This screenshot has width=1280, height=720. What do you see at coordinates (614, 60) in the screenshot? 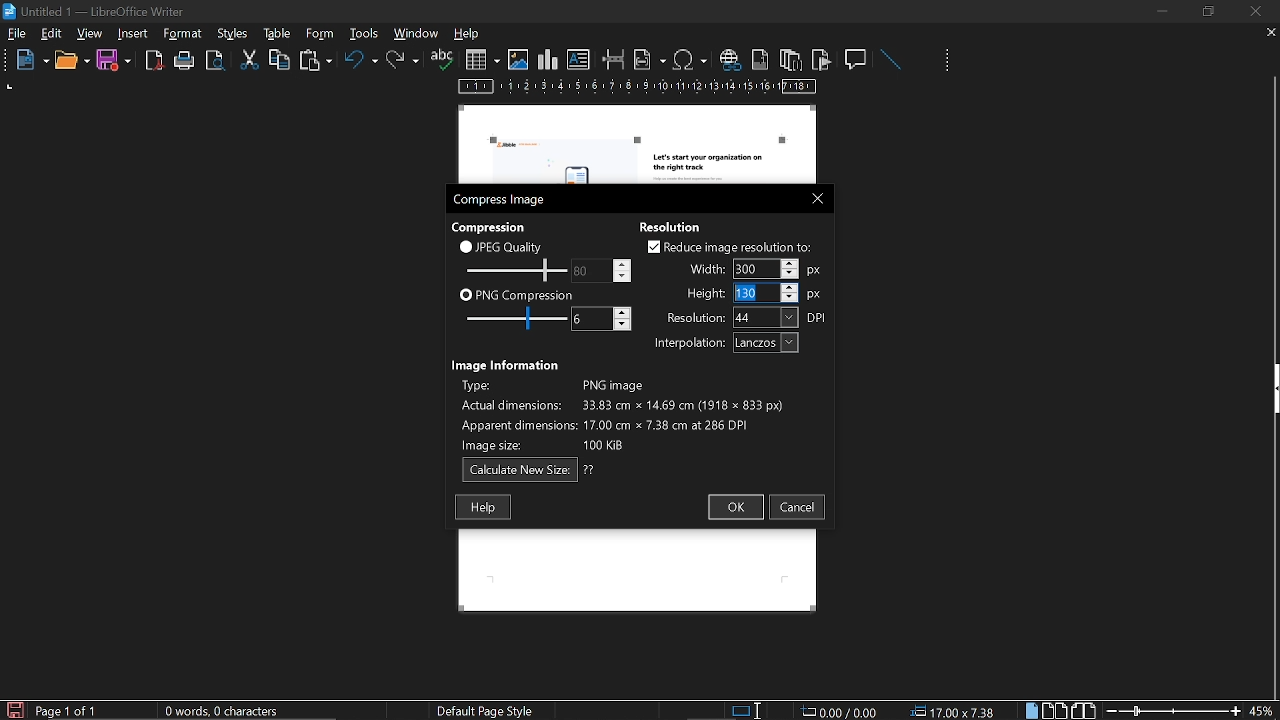
I see `insert page break` at bounding box center [614, 60].